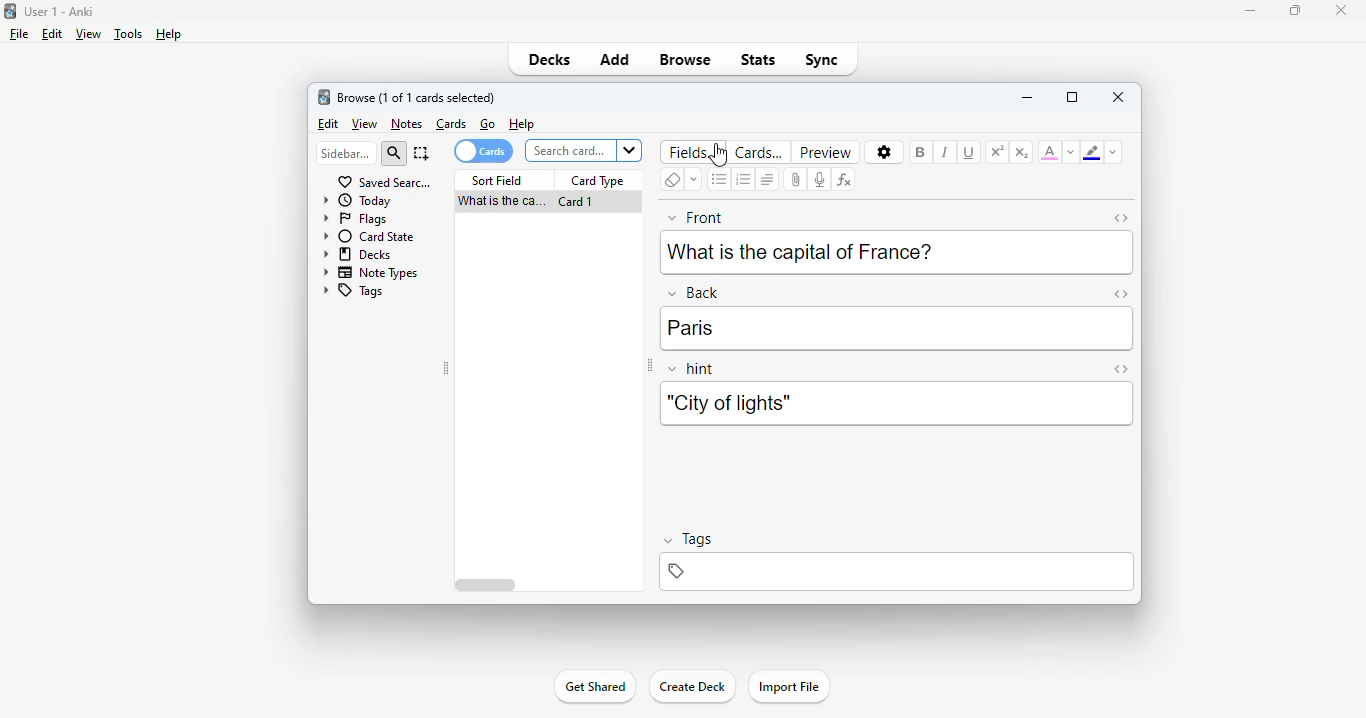 The width and height of the screenshot is (1366, 718). Describe the element at coordinates (1072, 97) in the screenshot. I see `maximize` at that location.